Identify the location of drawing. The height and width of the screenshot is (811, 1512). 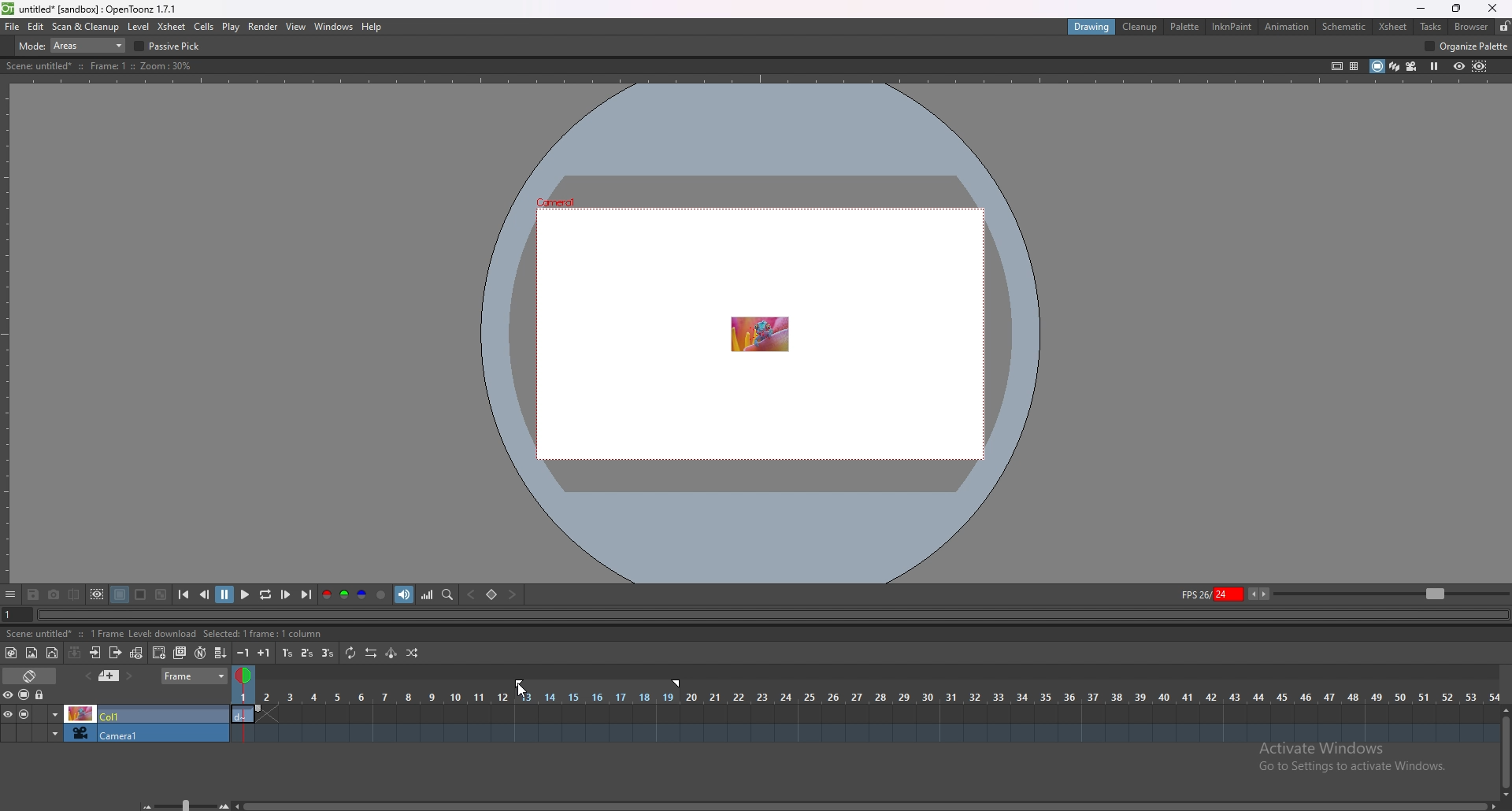
(1094, 27).